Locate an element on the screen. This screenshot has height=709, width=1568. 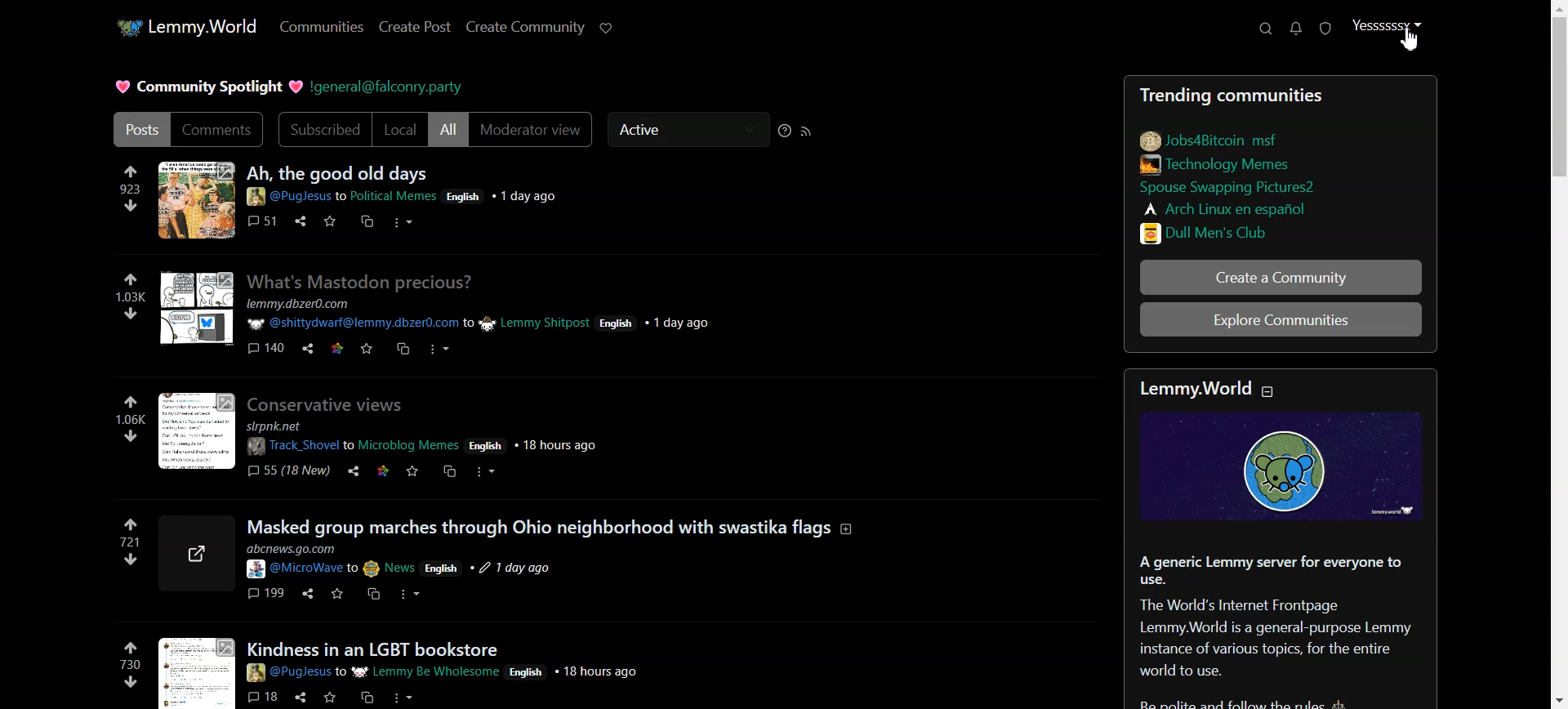
Profile is located at coordinates (1390, 27).